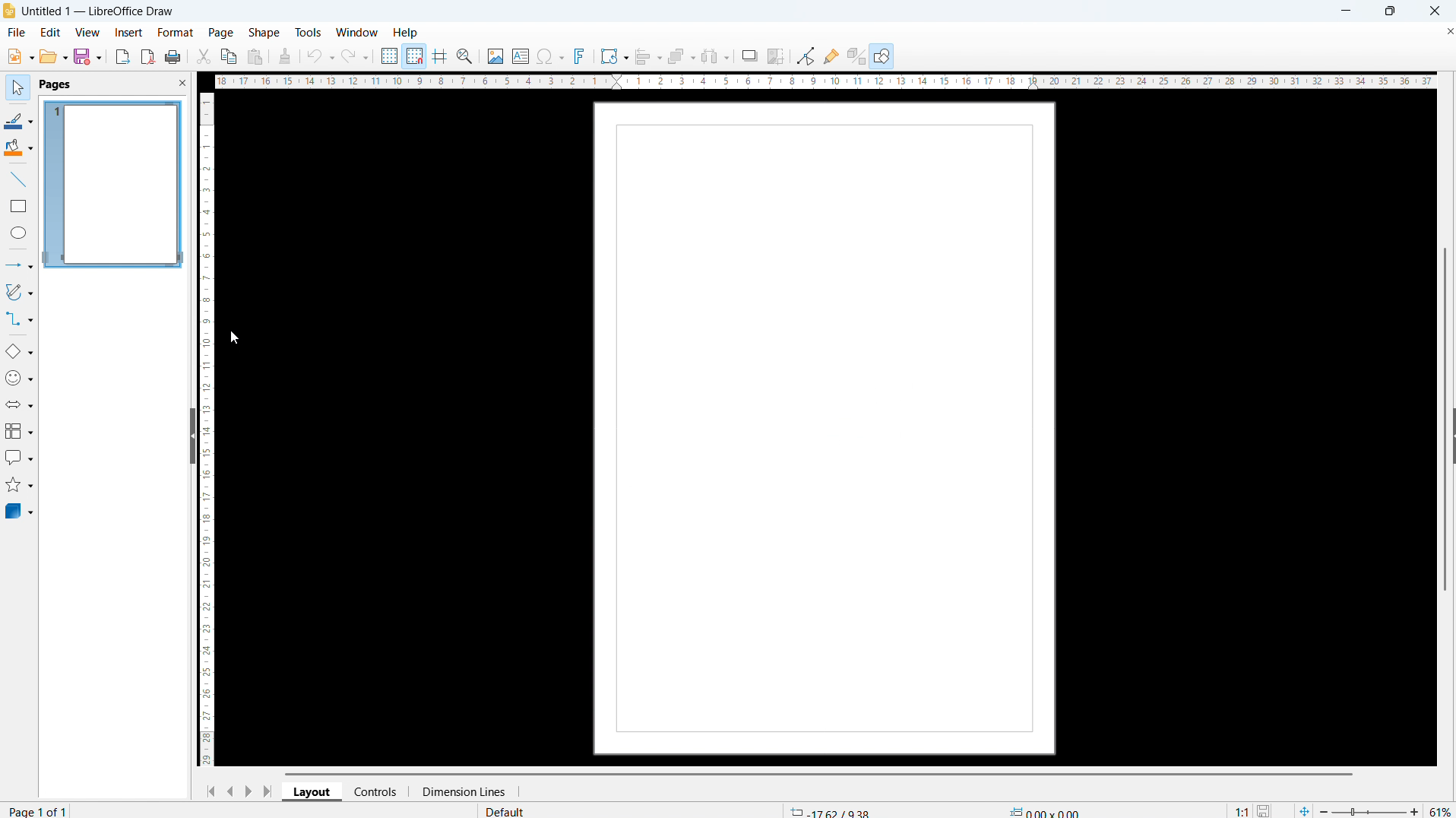 This screenshot has width=1456, height=818. Describe the element at coordinates (20, 511) in the screenshot. I see `3D objects` at that location.